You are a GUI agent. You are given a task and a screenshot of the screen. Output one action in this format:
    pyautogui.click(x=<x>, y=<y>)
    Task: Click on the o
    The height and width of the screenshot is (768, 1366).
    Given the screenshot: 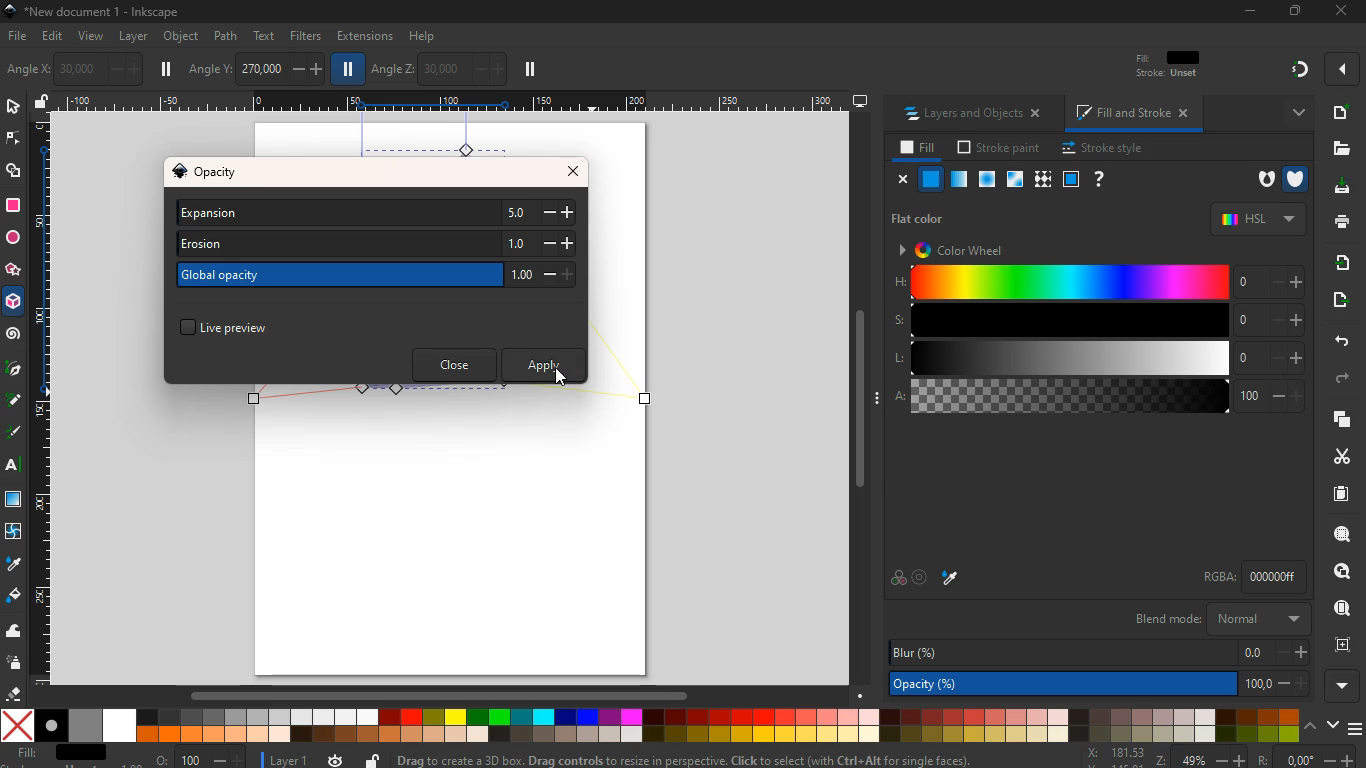 What is the action you would take?
    pyautogui.click(x=196, y=758)
    